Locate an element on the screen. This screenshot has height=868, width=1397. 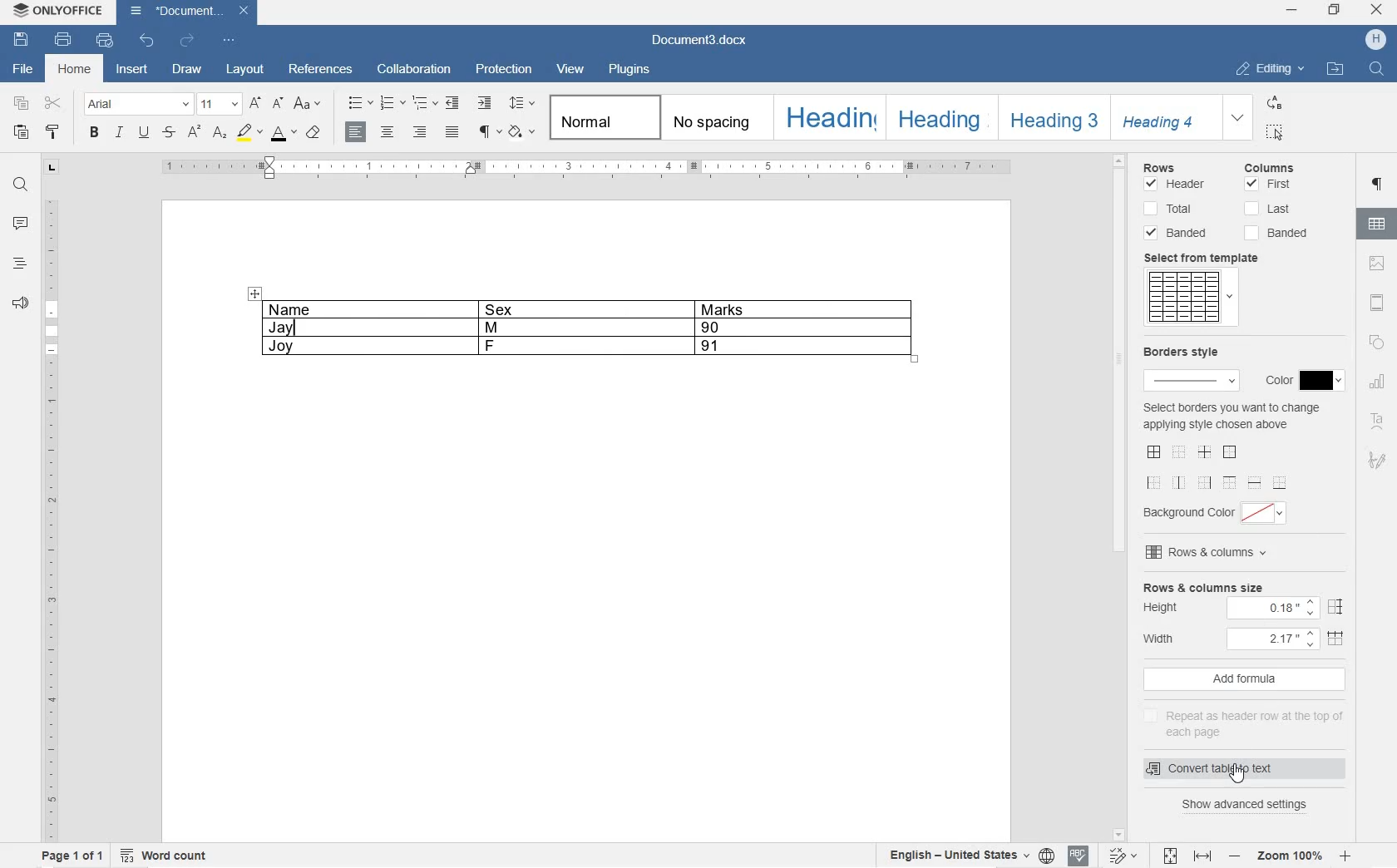
HEADERS & FOOTERS is located at coordinates (1377, 301).